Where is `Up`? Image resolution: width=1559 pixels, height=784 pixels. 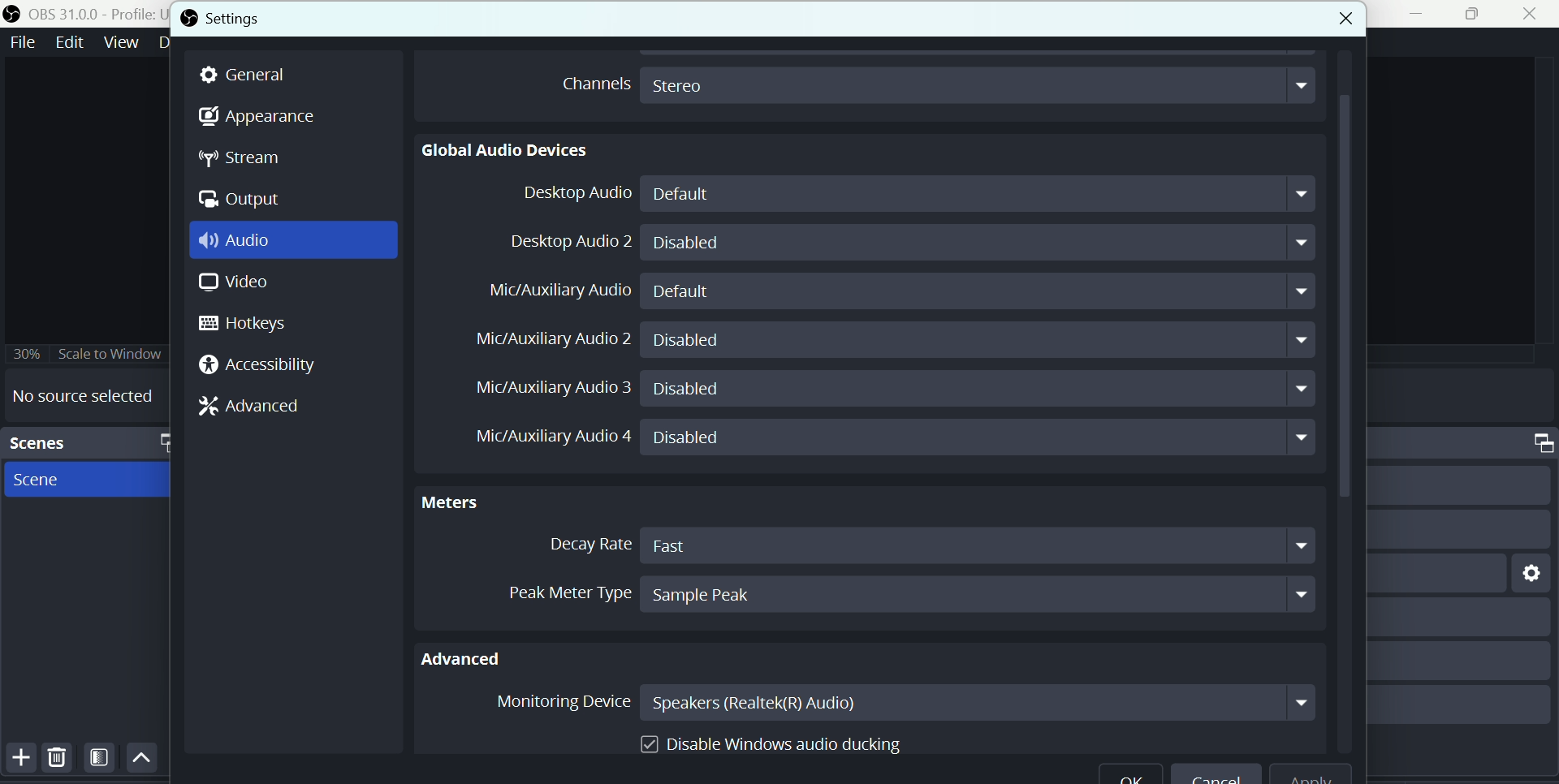
Up is located at coordinates (141, 759).